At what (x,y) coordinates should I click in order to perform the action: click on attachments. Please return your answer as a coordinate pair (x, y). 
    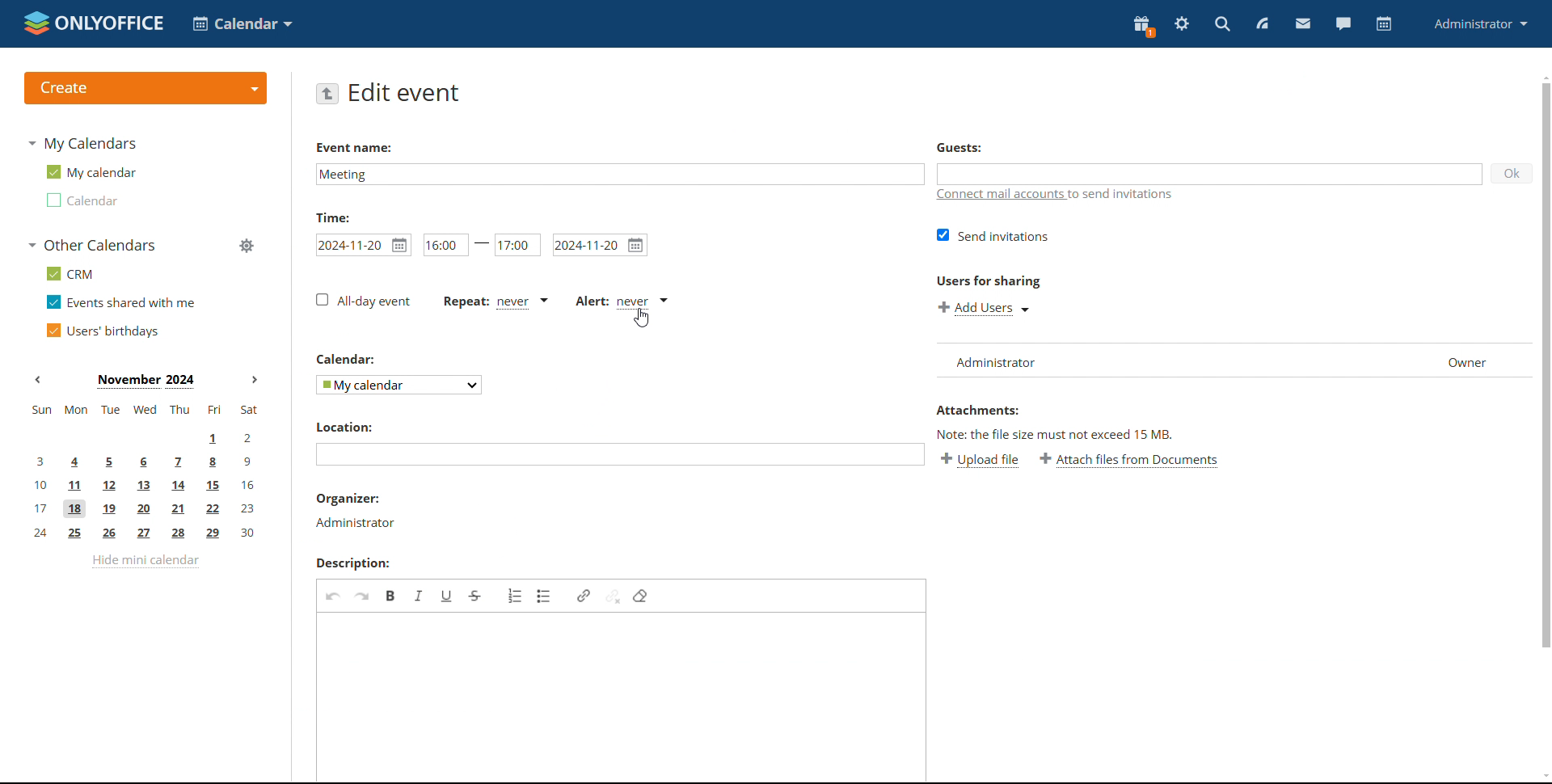
    Looking at the image, I should click on (976, 410).